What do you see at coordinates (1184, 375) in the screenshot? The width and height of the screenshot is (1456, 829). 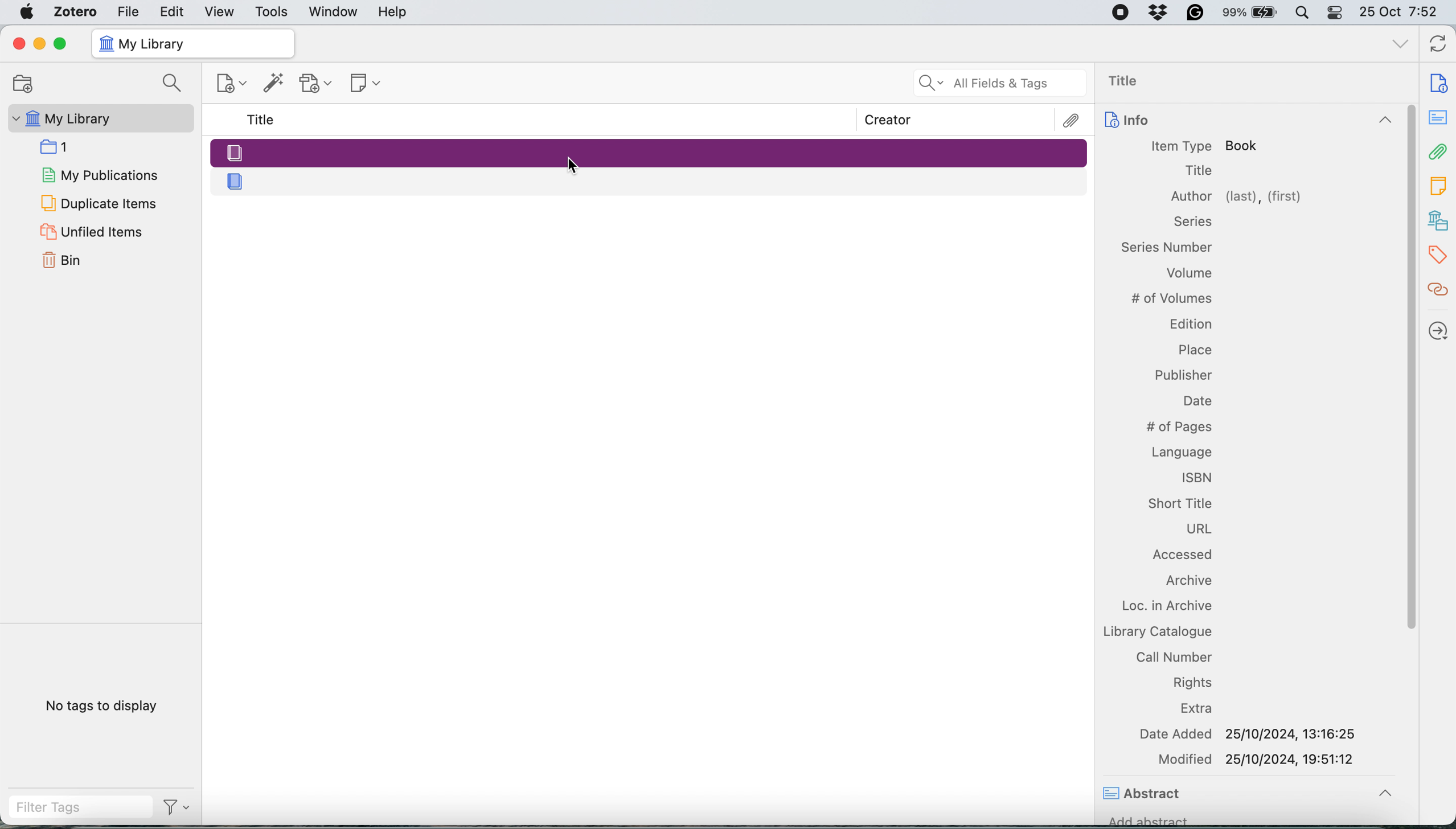 I see `Publisher` at bounding box center [1184, 375].